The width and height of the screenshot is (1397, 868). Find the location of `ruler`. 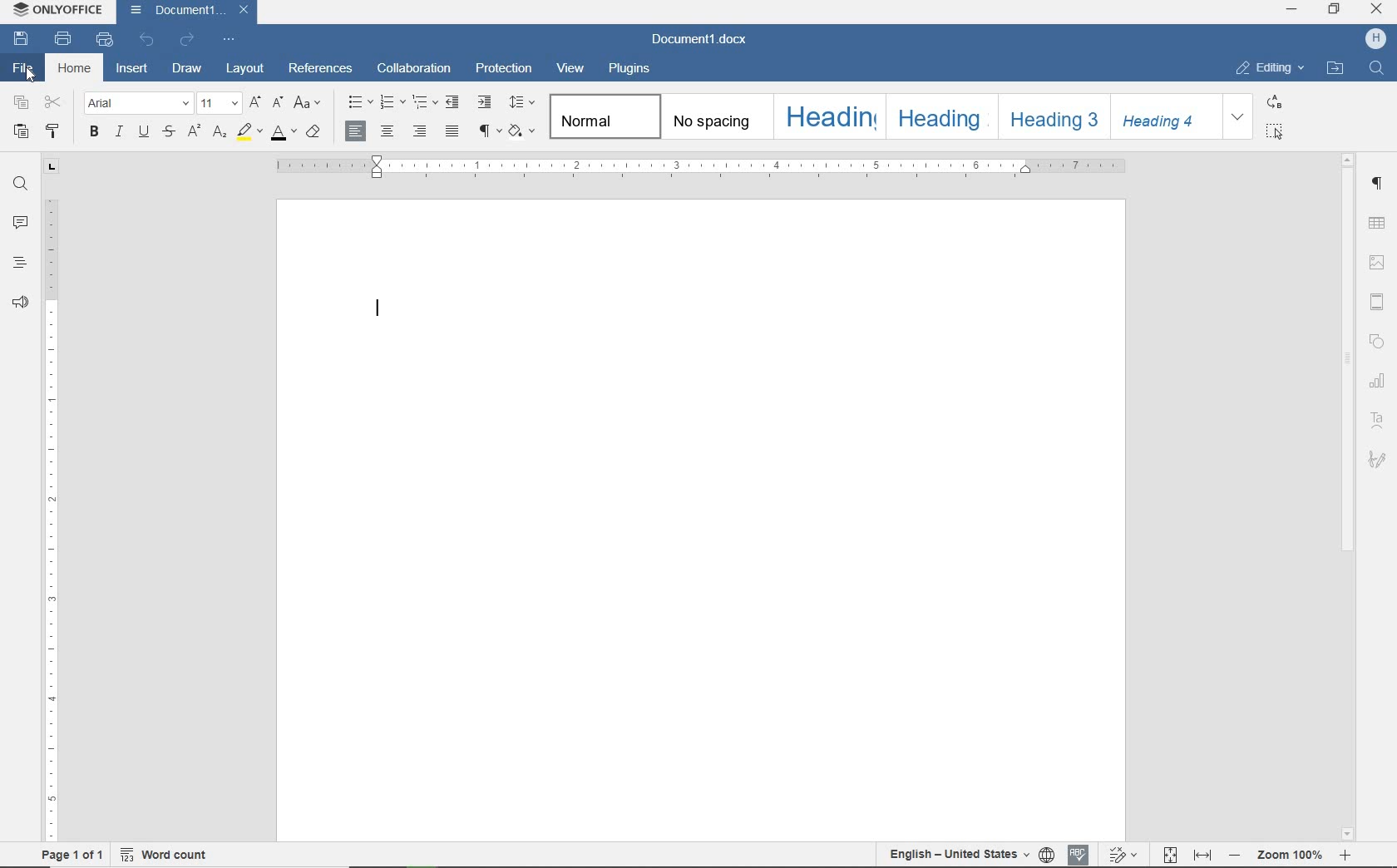

ruler is located at coordinates (52, 517).